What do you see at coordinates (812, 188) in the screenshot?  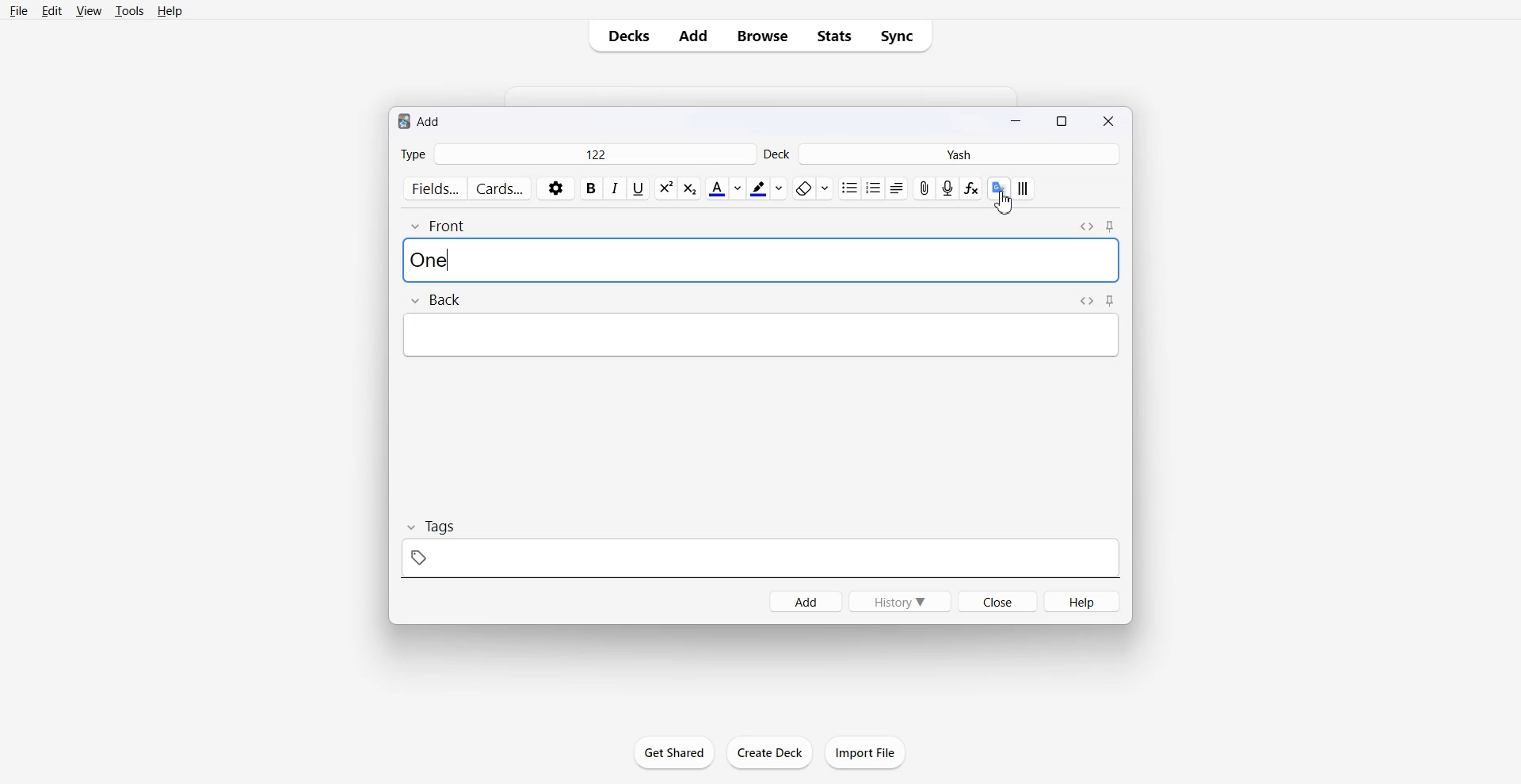 I see `Remove format` at bounding box center [812, 188].